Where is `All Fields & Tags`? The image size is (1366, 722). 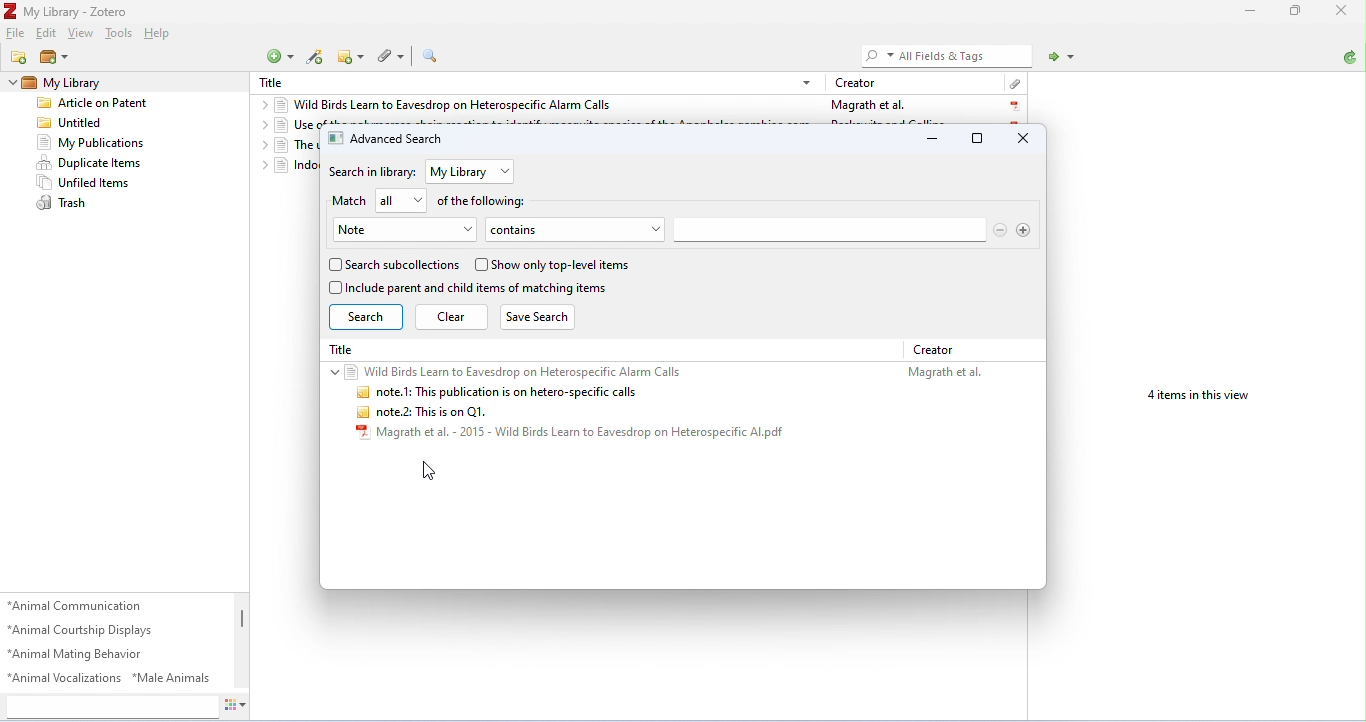 All Fields & Tags is located at coordinates (939, 55).